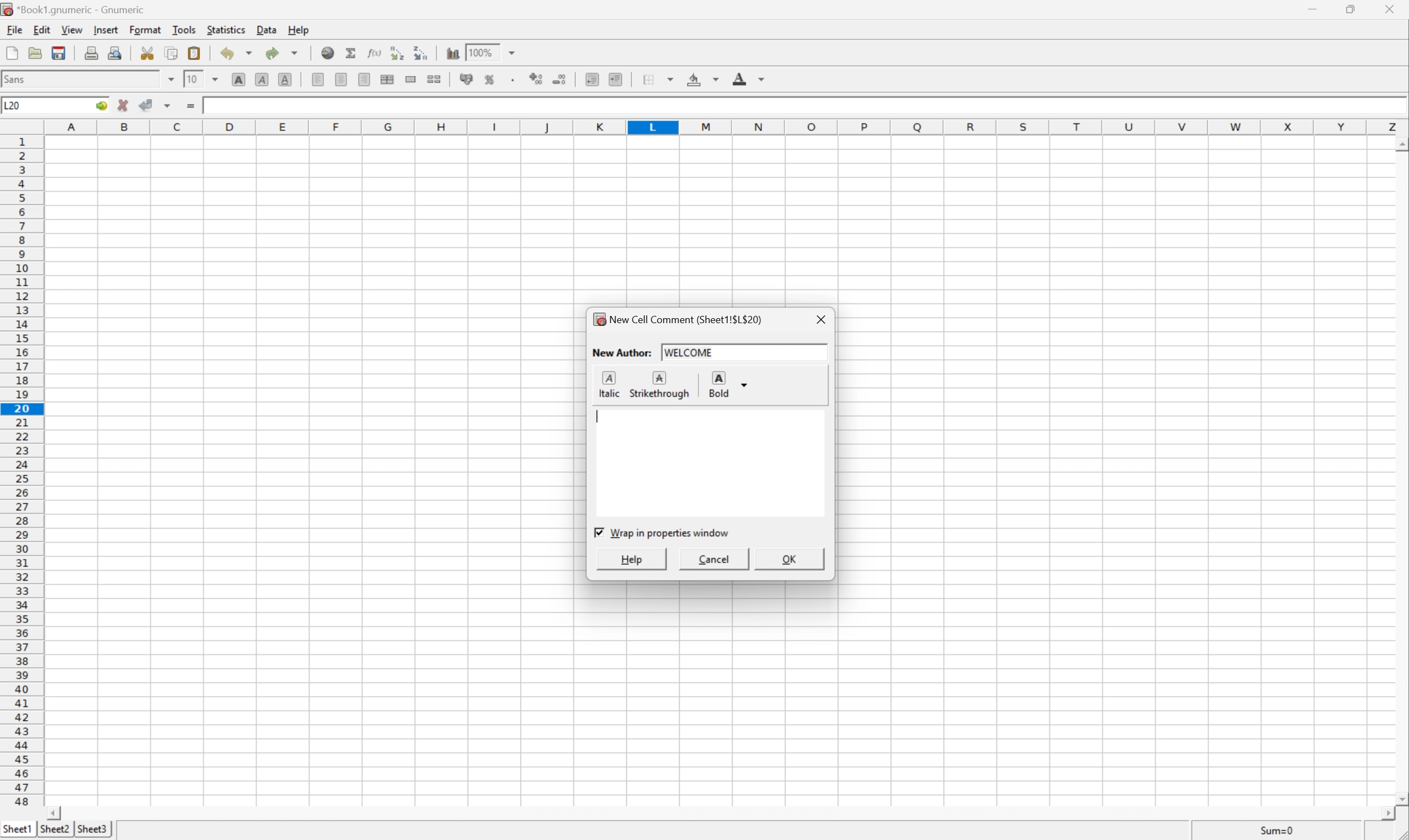 The height and width of the screenshot is (840, 1409). What do you see at coordinates (108, 28) in the screenshot?
I see `Insert` at bounding box center [108, 28].